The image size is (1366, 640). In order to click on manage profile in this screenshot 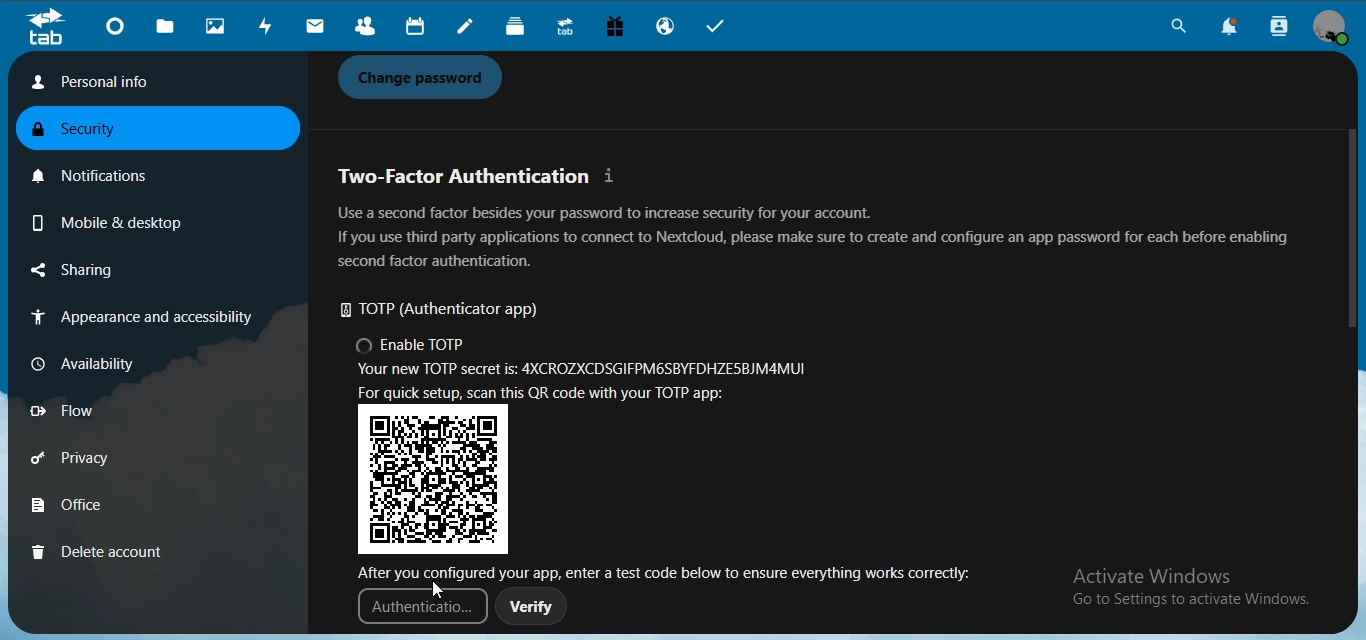, I will do `click(1332, 28)`.